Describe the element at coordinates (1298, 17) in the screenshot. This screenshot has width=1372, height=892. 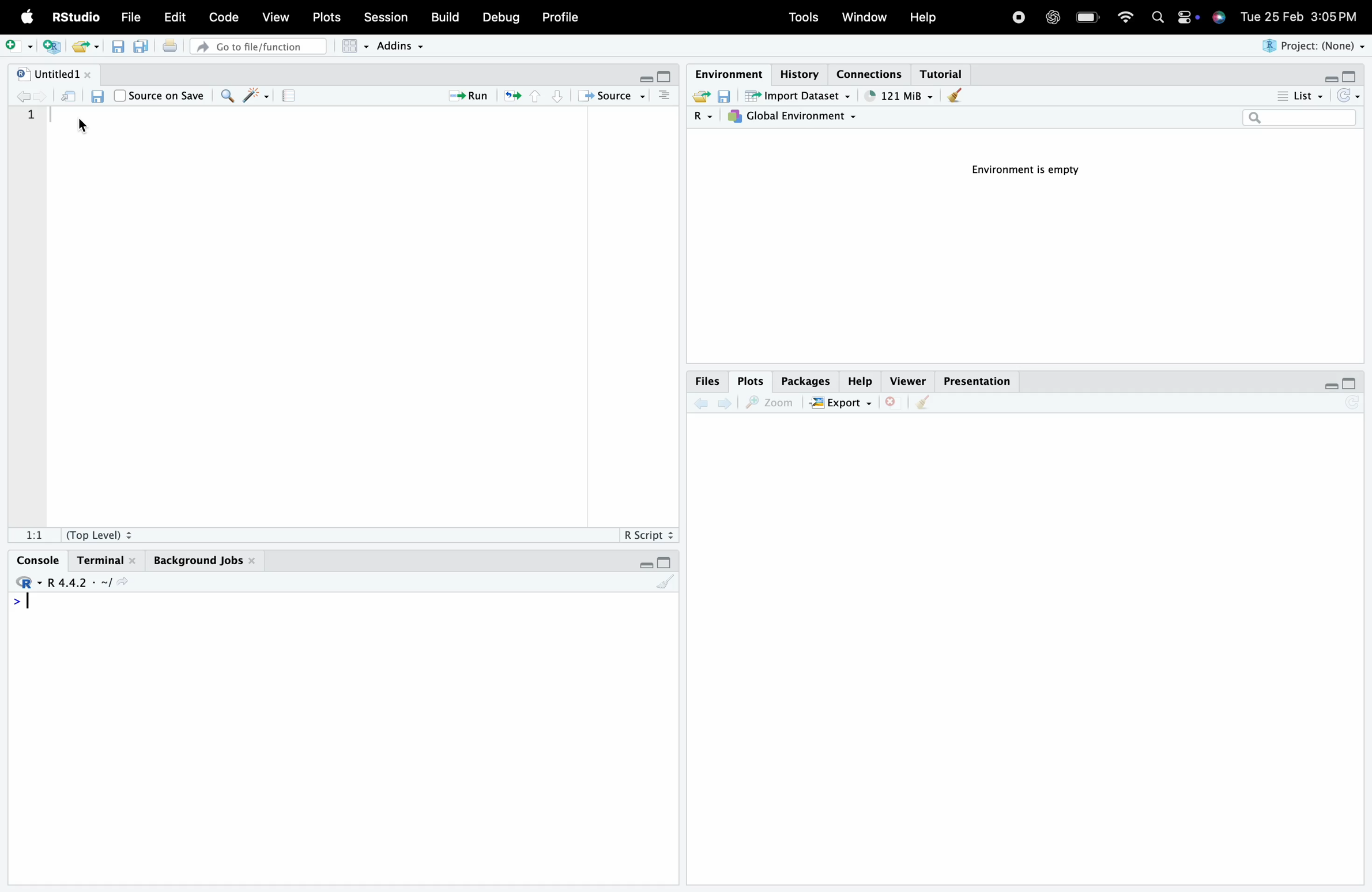
I see `Tue 25 Feb 3:05 PM` at that location.